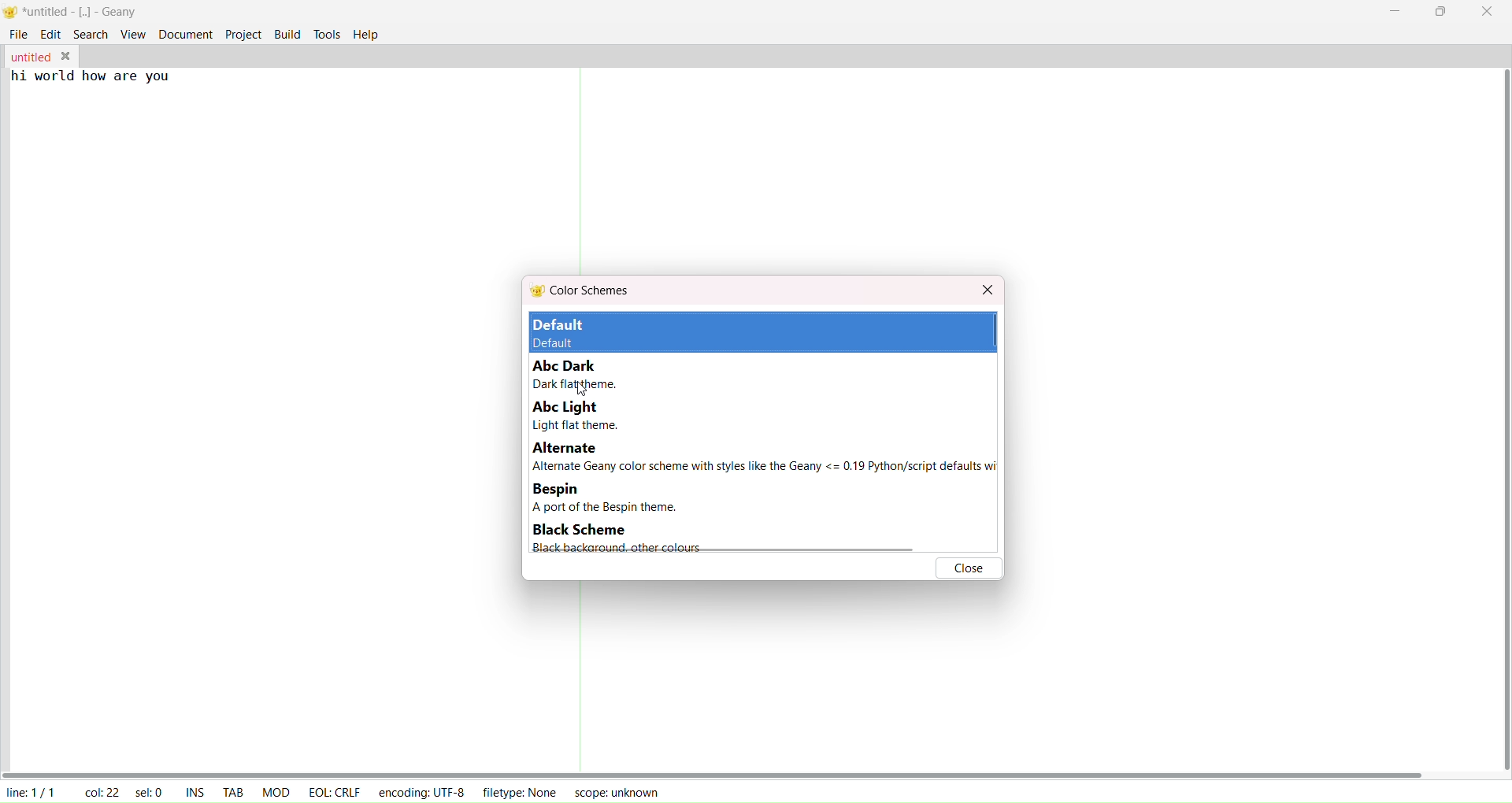 This screenshot has height=803, width=1512. I want to click on close, so click(1484, 12).